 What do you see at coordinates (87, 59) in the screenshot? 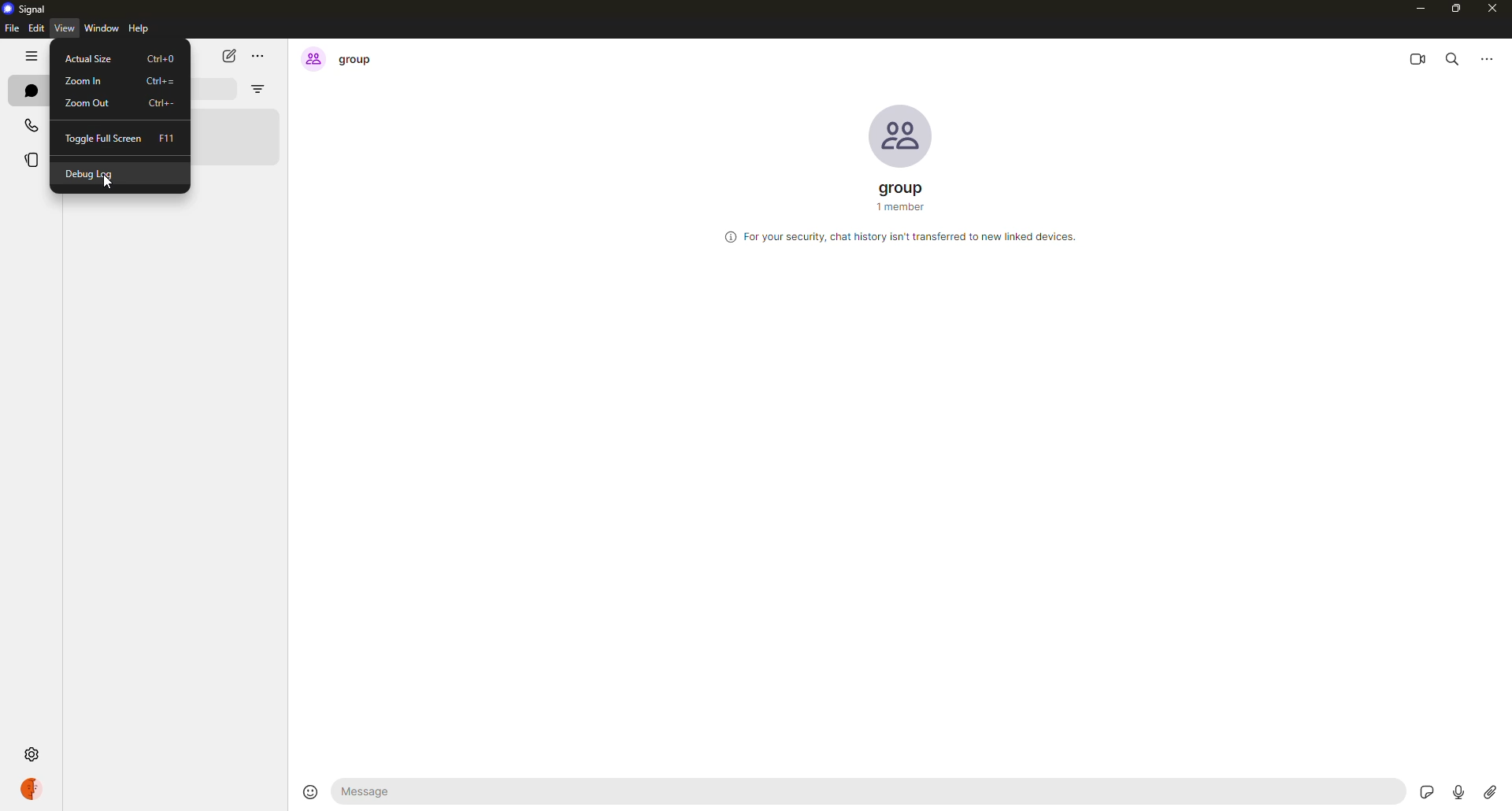
I see `actual size` at bounding box center [87, 59].